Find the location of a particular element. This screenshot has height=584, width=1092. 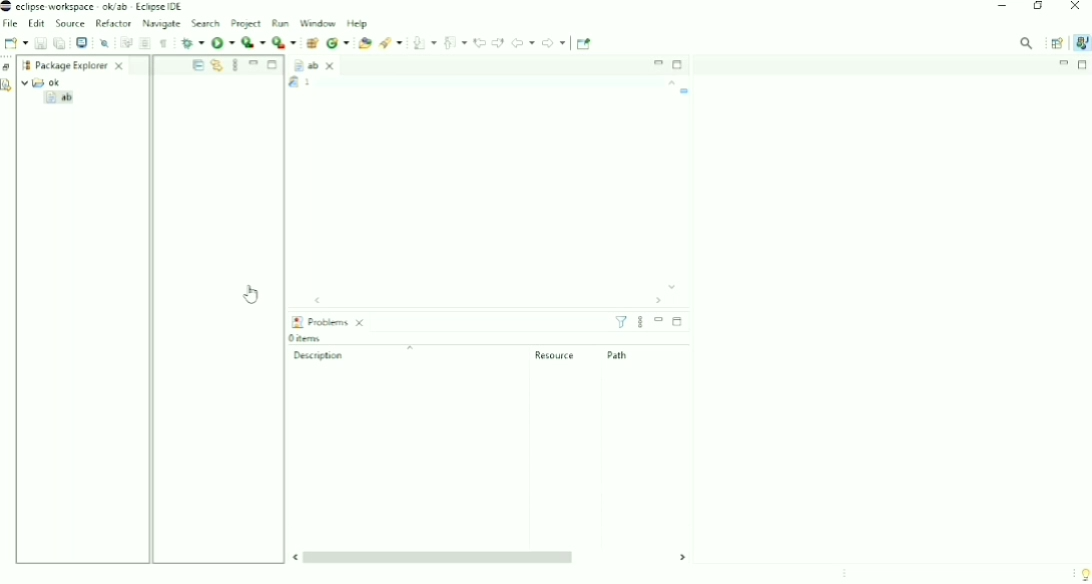

Task is located at coordinates (332, 83).